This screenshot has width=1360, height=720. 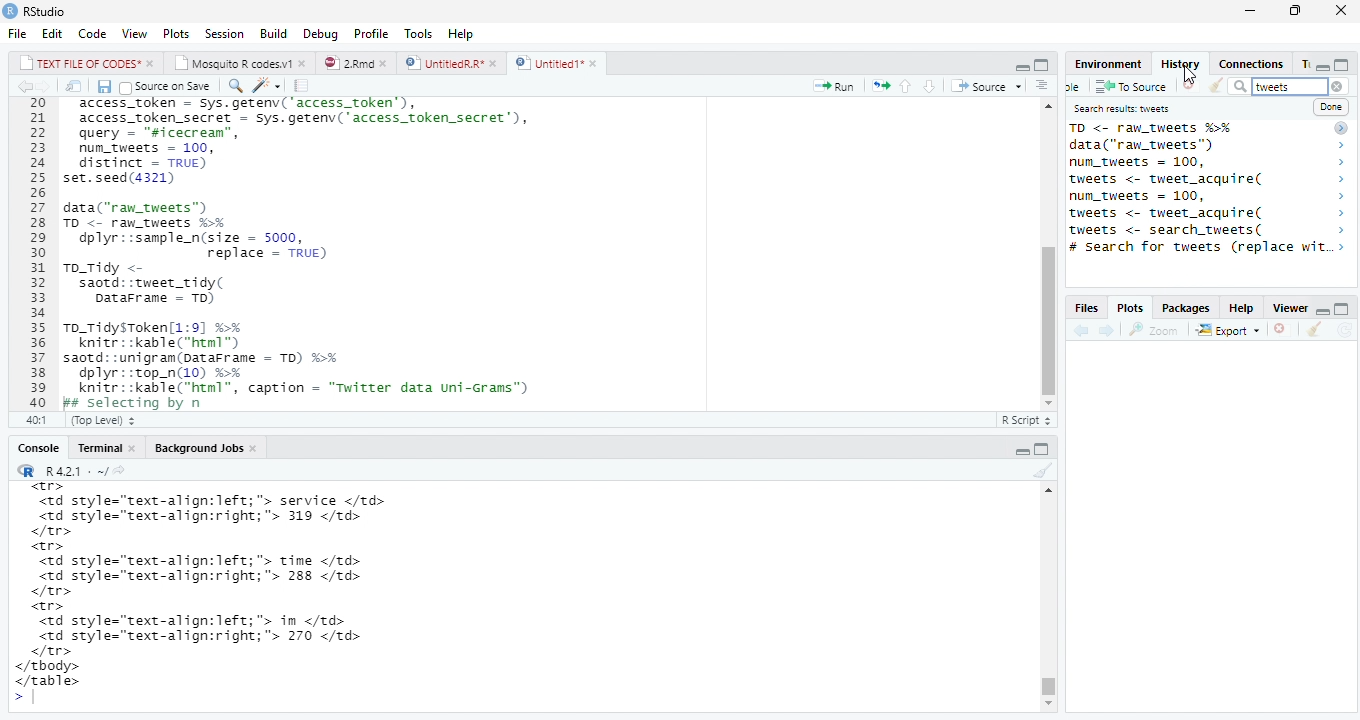 I want to click on R Script , so click(x=1024, y=420).